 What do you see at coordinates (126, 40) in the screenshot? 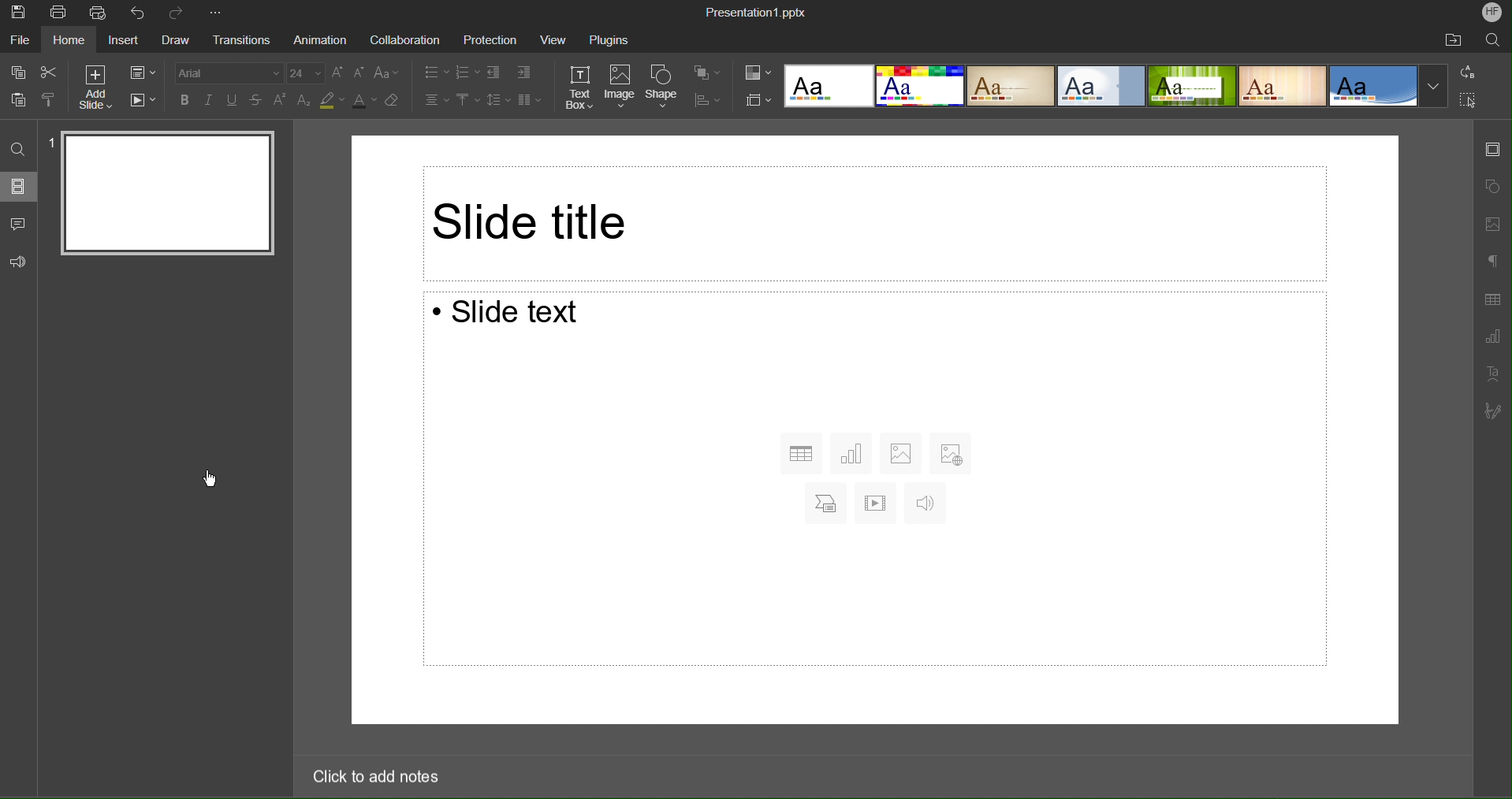
I see `Insert` at bounding box center [126, 40].